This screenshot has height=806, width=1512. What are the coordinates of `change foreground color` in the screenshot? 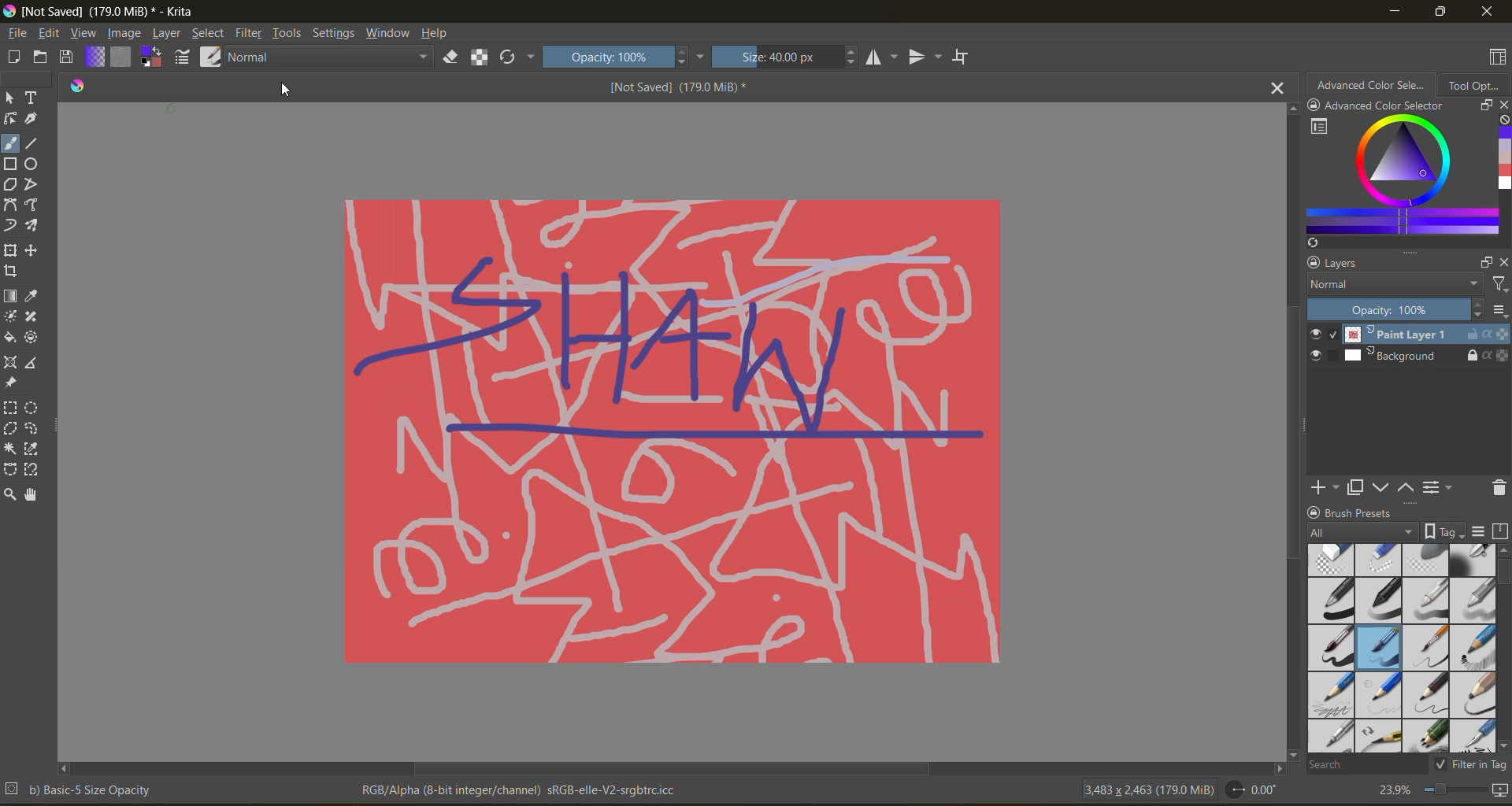 It's located at (155, 57).